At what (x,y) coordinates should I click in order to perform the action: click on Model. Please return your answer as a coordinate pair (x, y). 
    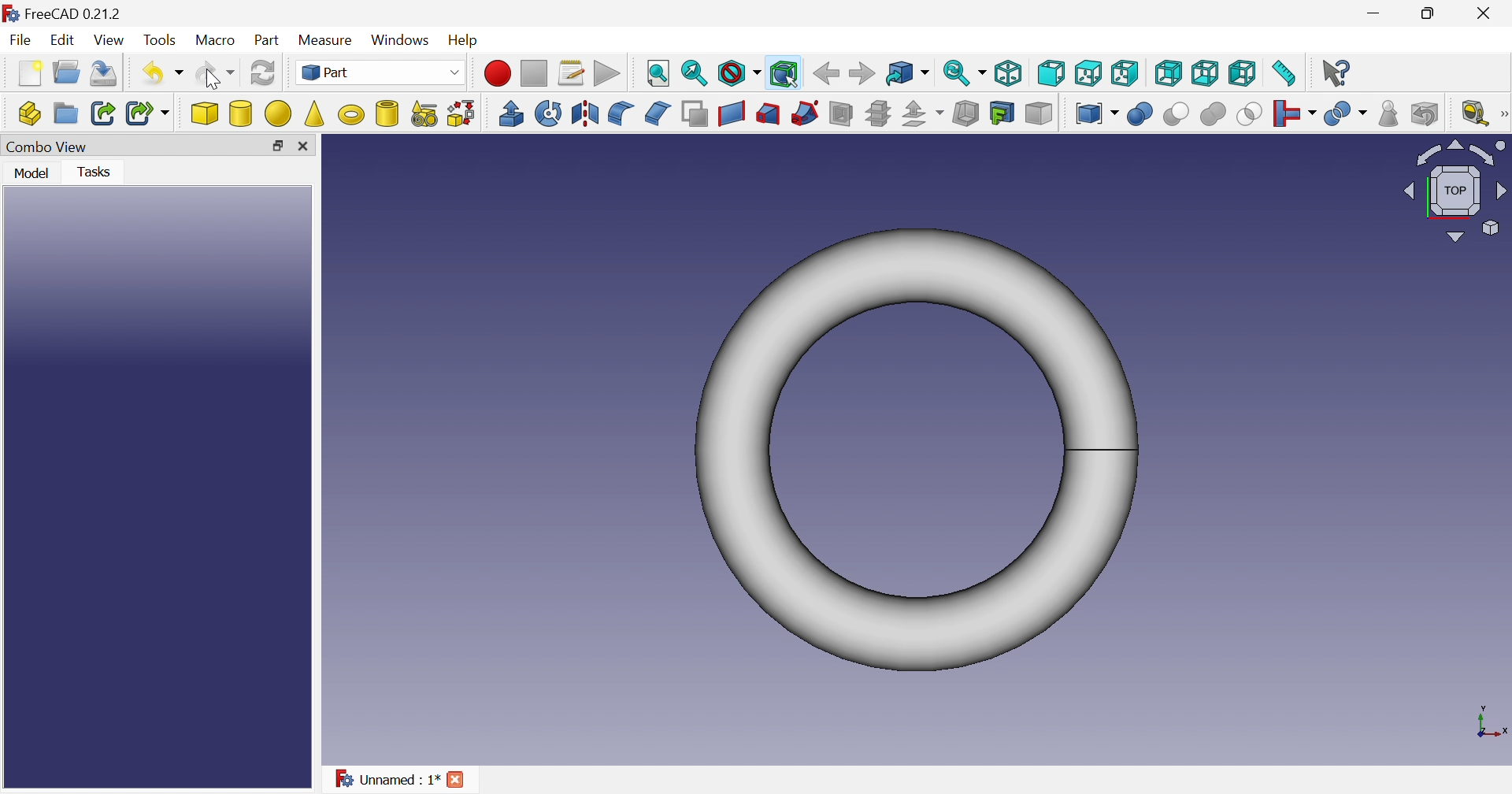
    Looking at the image, I should click on (34, 175).